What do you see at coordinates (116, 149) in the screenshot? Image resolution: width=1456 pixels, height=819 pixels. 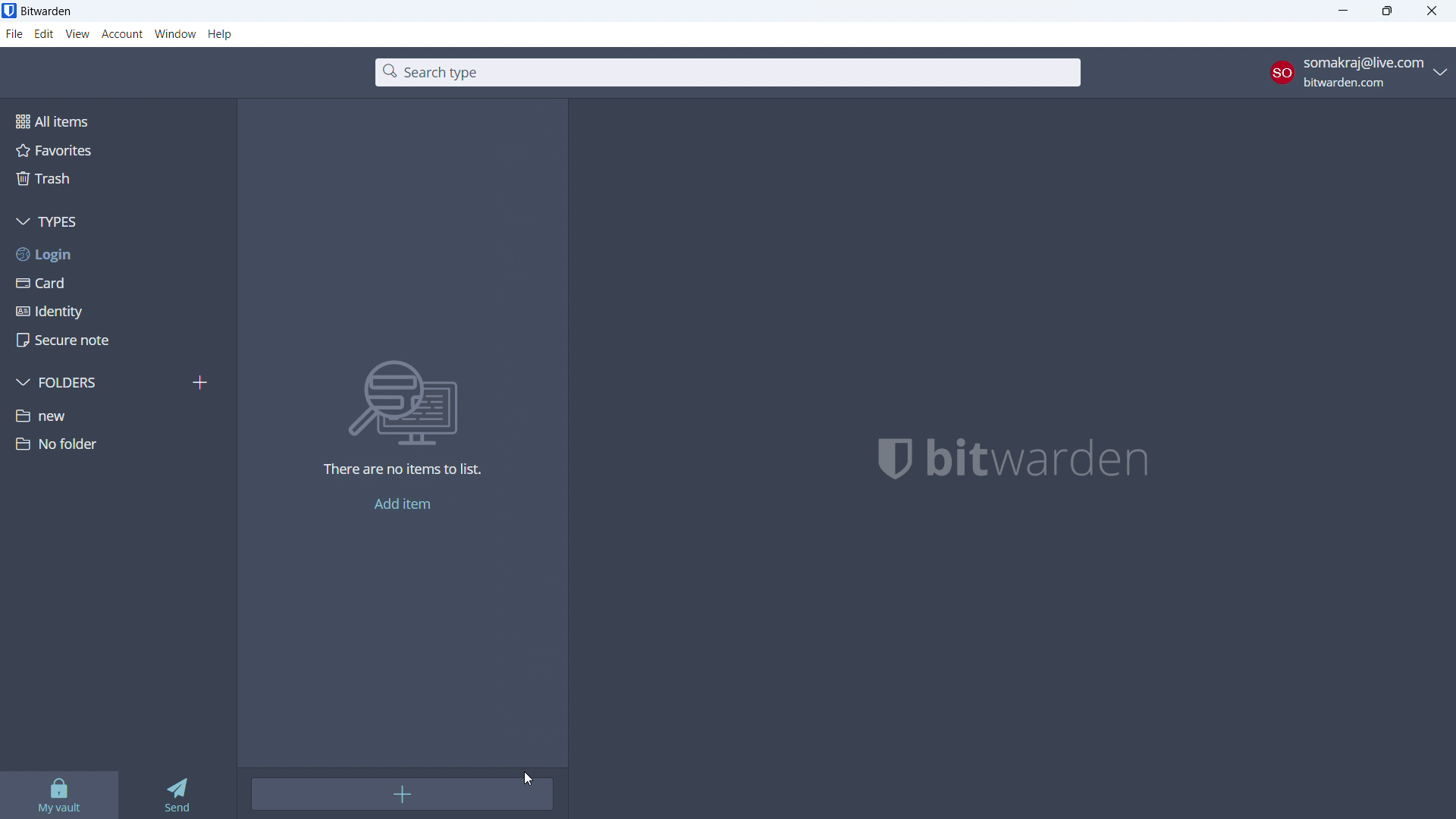 I see `favorites` at bounding box center [116, 149].